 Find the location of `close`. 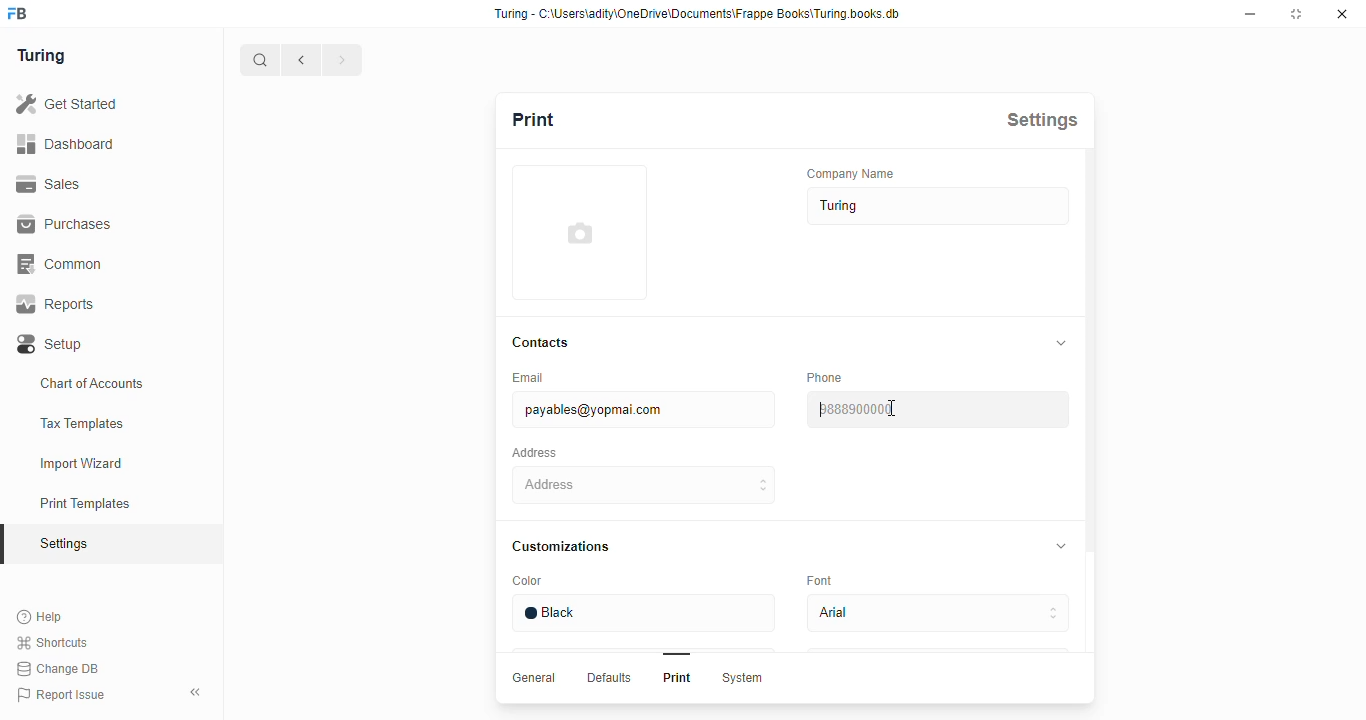

close is located at coordinates (1345, 16).